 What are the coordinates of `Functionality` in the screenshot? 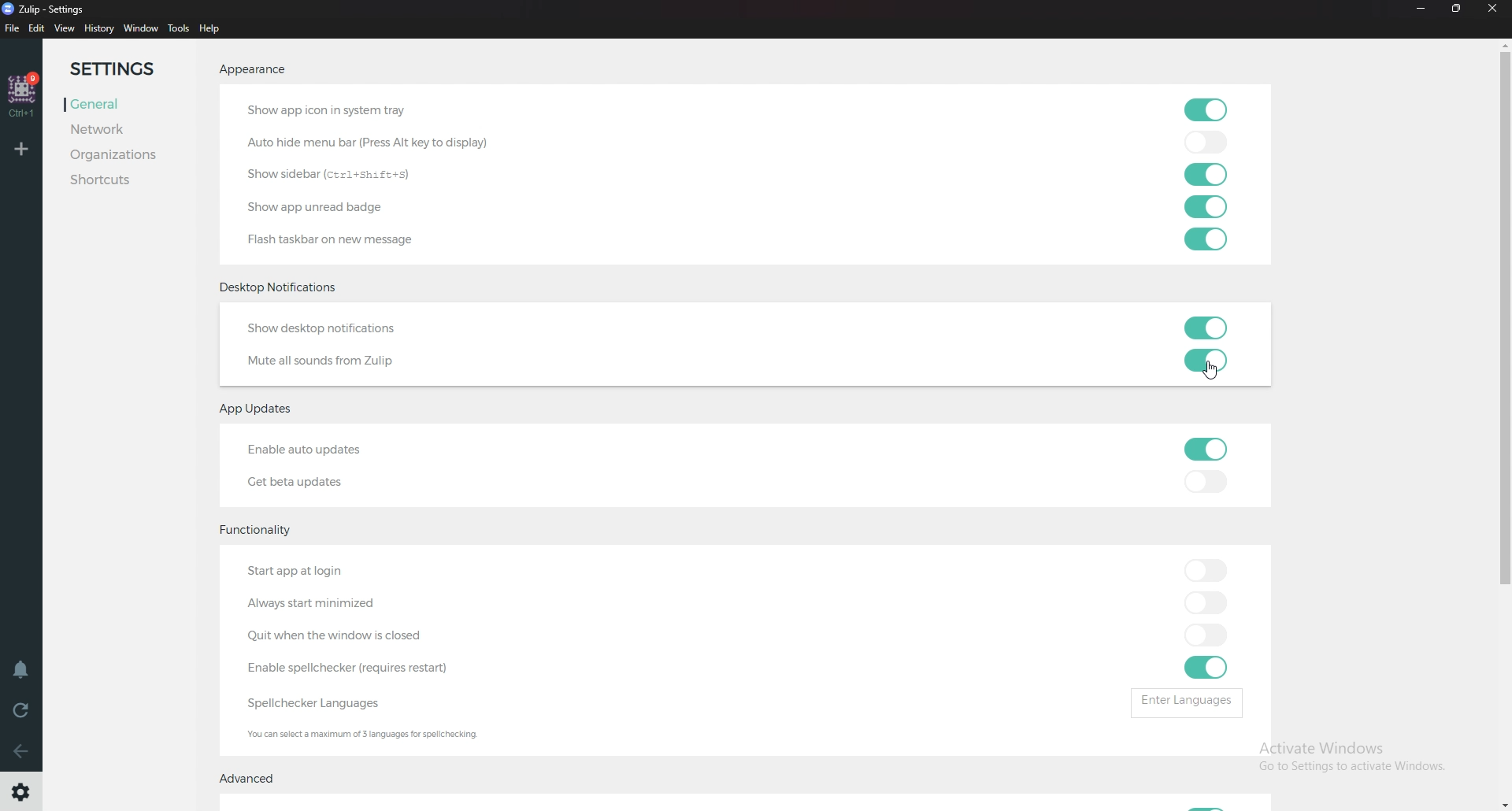 It's located at (266, 532).